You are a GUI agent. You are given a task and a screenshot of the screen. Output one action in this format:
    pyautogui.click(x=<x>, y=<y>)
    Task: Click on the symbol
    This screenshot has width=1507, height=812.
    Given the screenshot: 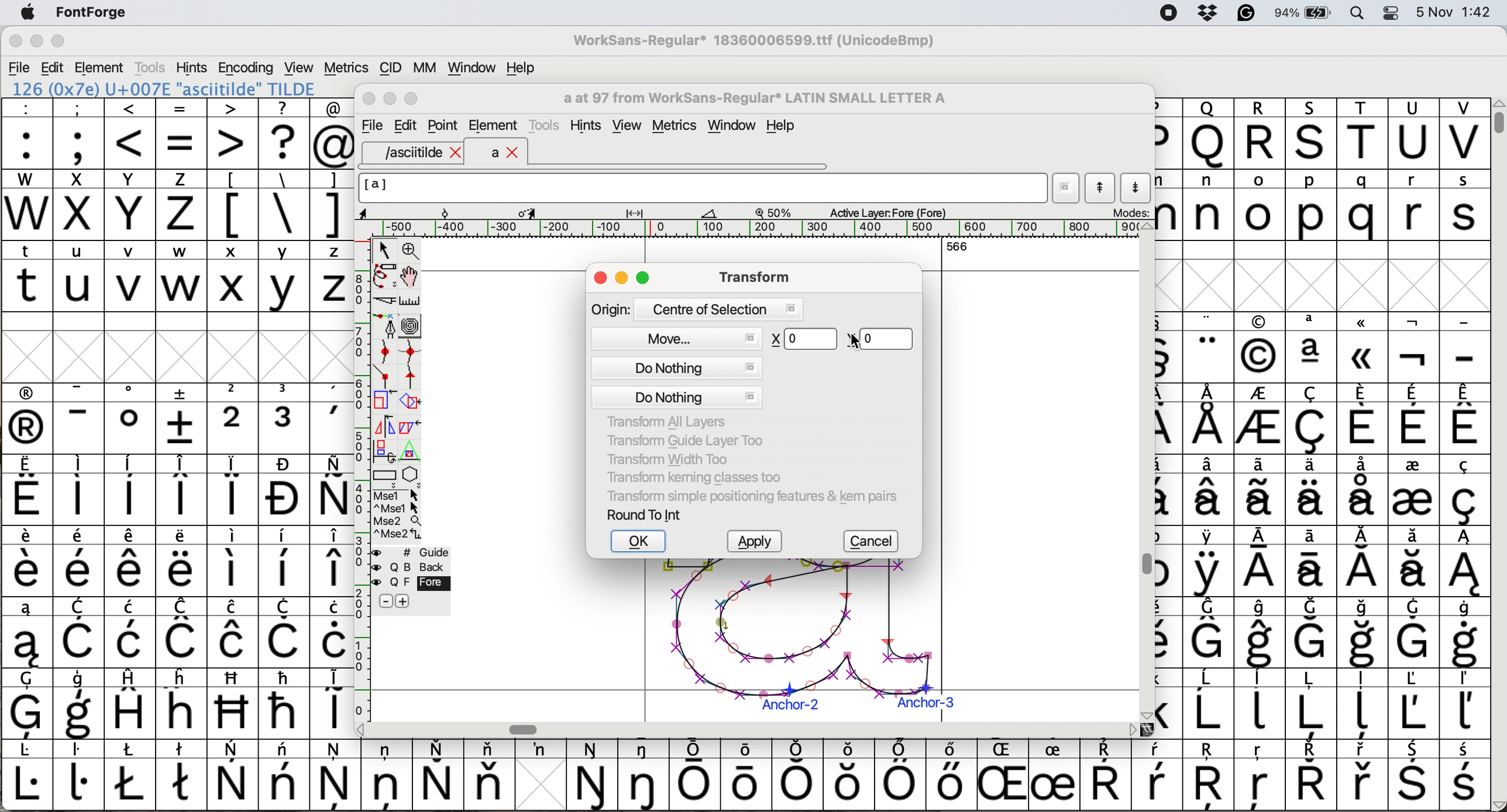 What is the action you would take?
    pyautogui.click(x=233, y=560)
    